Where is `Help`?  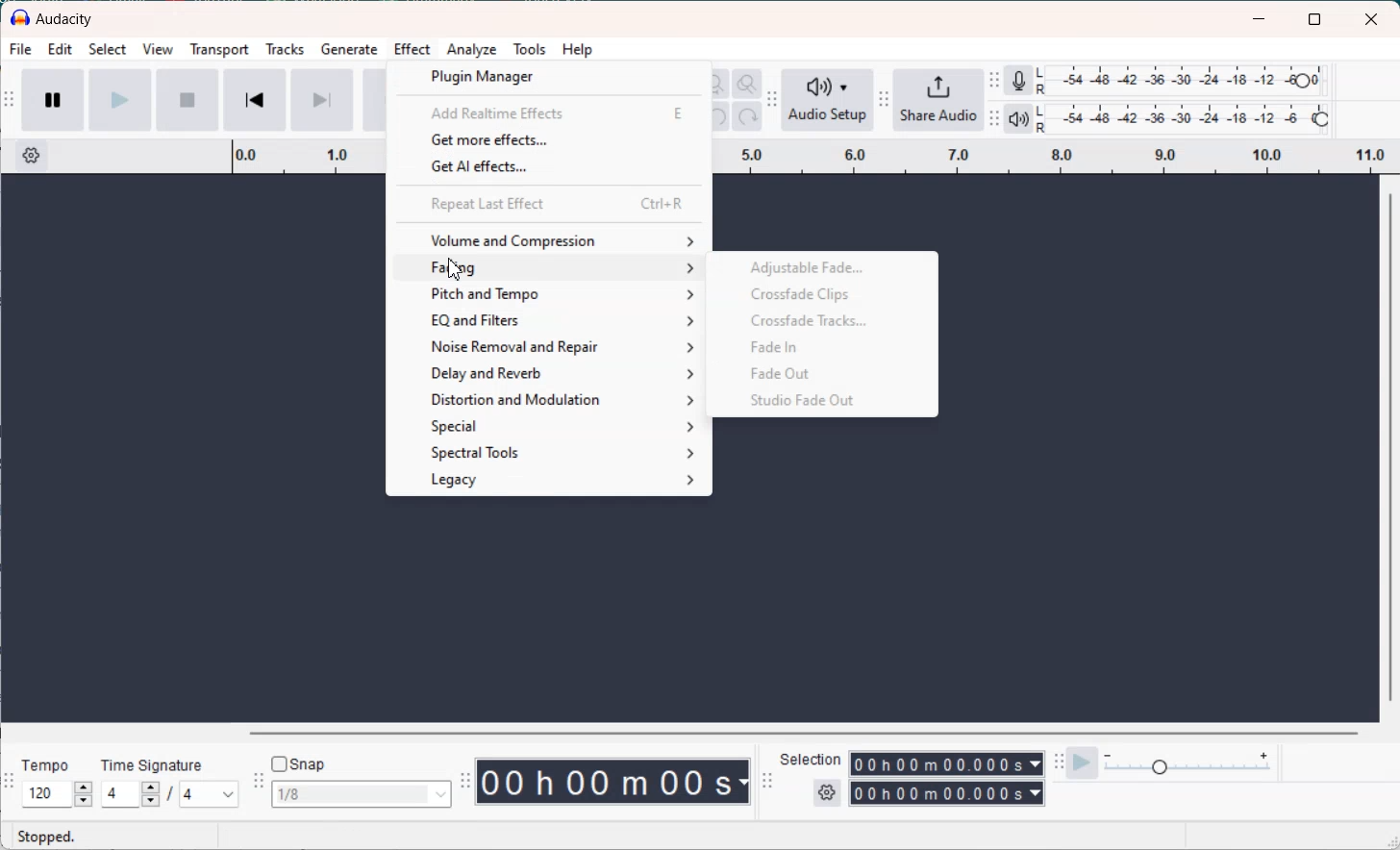
Help is located at coordinates (578, 49).